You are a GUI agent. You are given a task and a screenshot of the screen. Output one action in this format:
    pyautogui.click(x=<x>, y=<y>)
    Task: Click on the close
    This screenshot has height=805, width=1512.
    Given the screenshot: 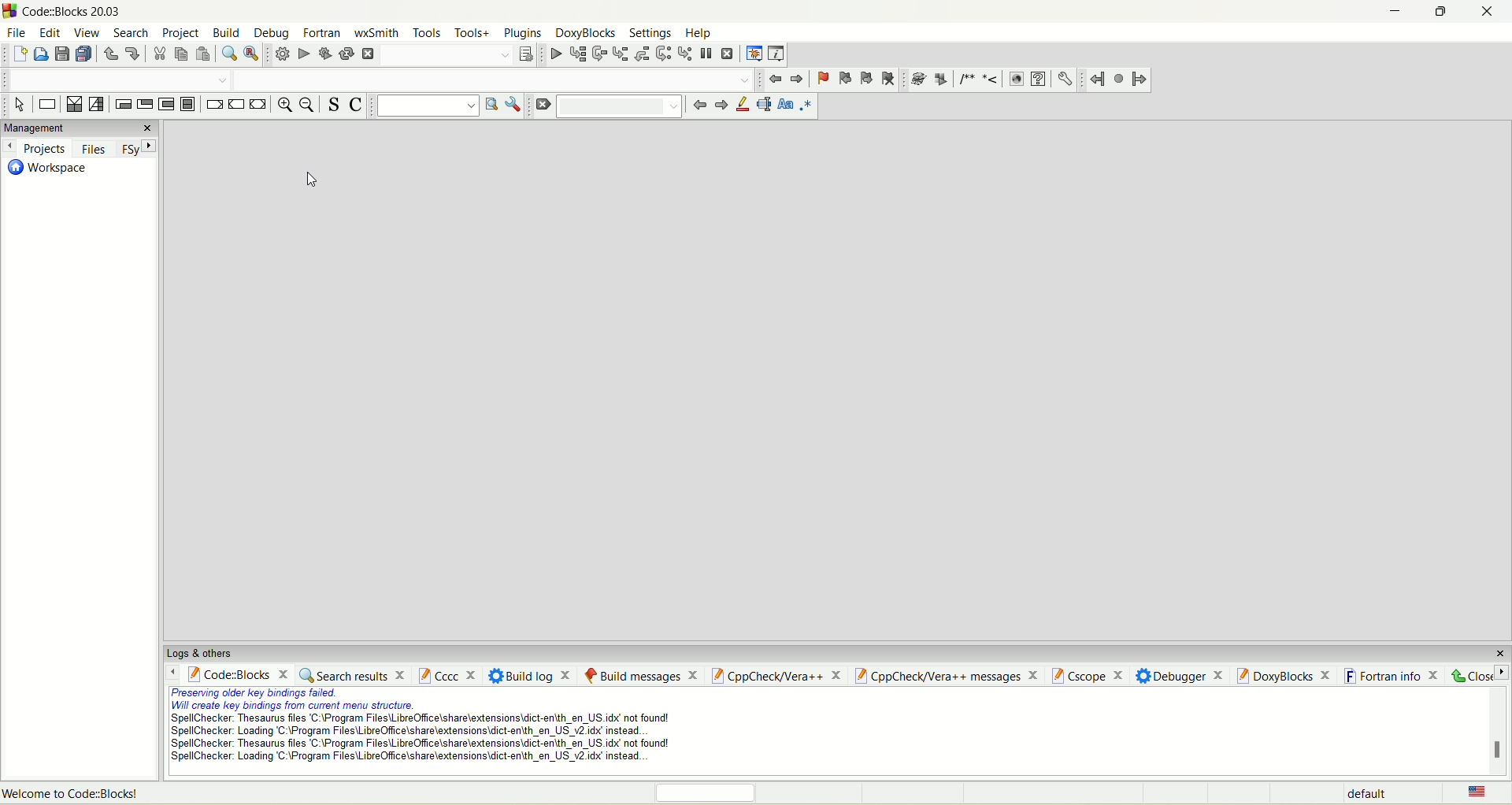 What is the action you would take?
    pyautogui.click(x=1477, y=673)
    